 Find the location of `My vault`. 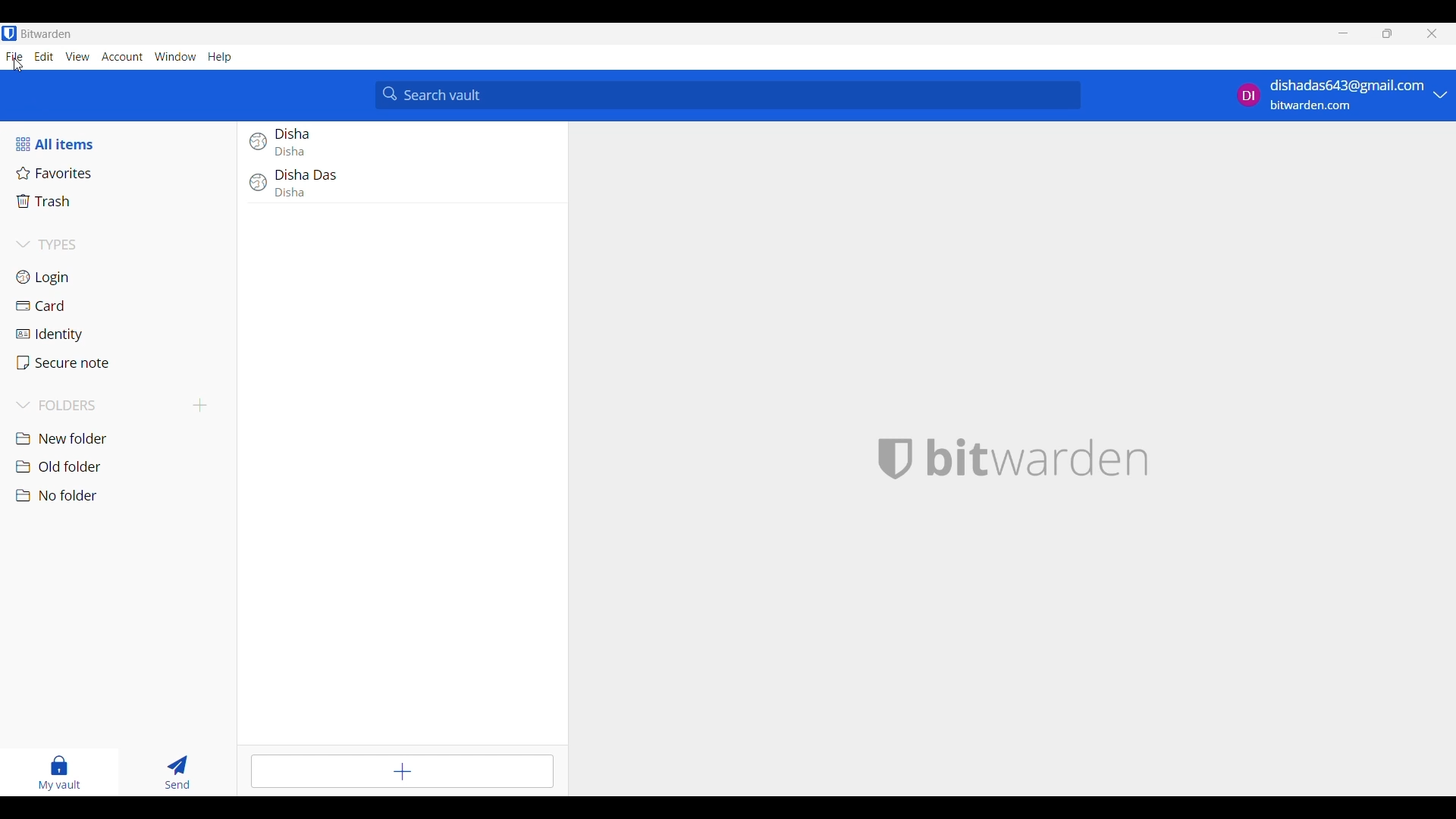

My vault is located at coordinates (60, 773).